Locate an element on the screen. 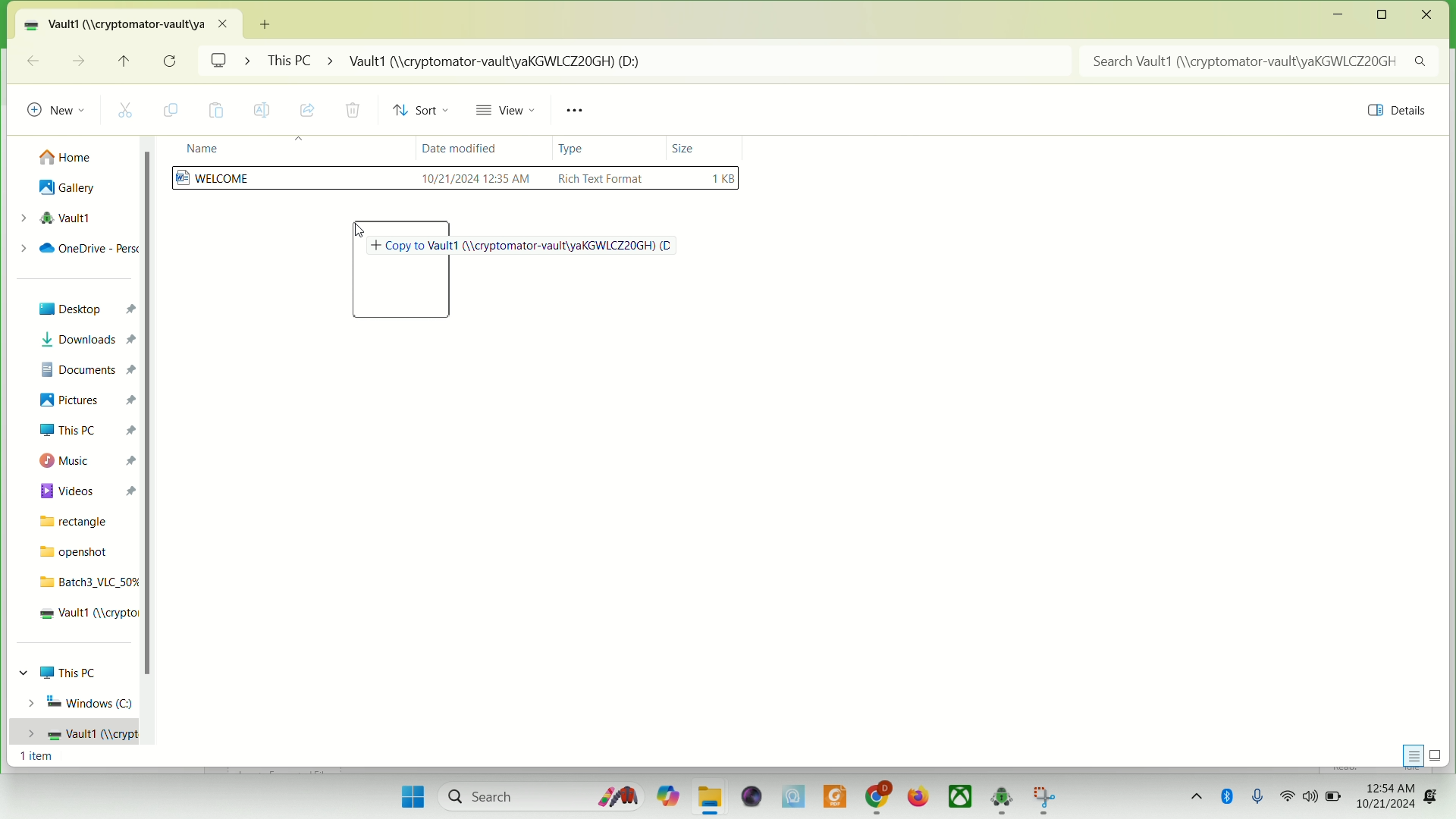 This screenshot has width=1456, height=819. copy is located at coordinates (176, 111).